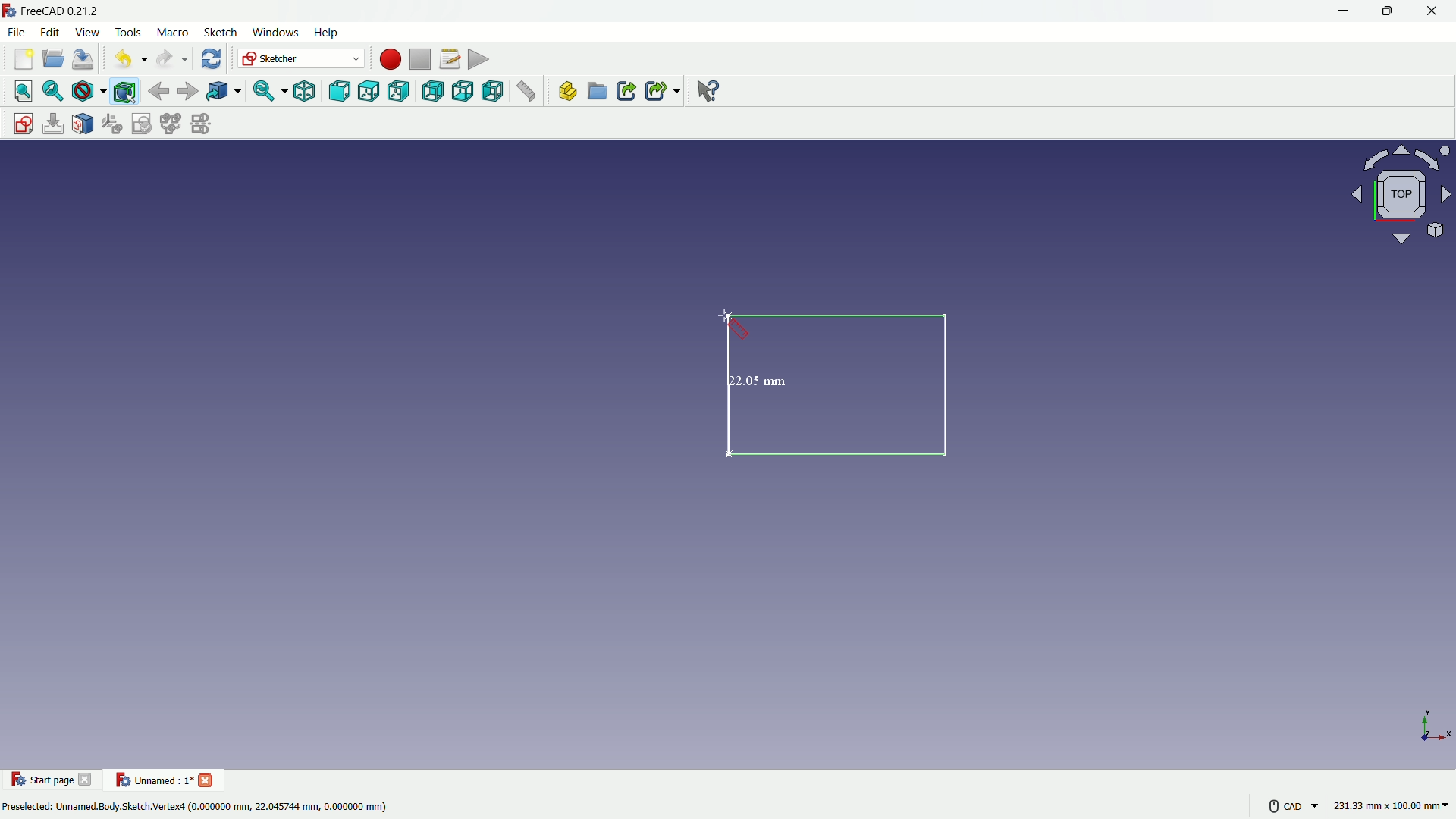 This screenshot has height=819, width=1456. Describe the element at coordinates (1289, 805) in the screenshot. I see `more settings` at that location.